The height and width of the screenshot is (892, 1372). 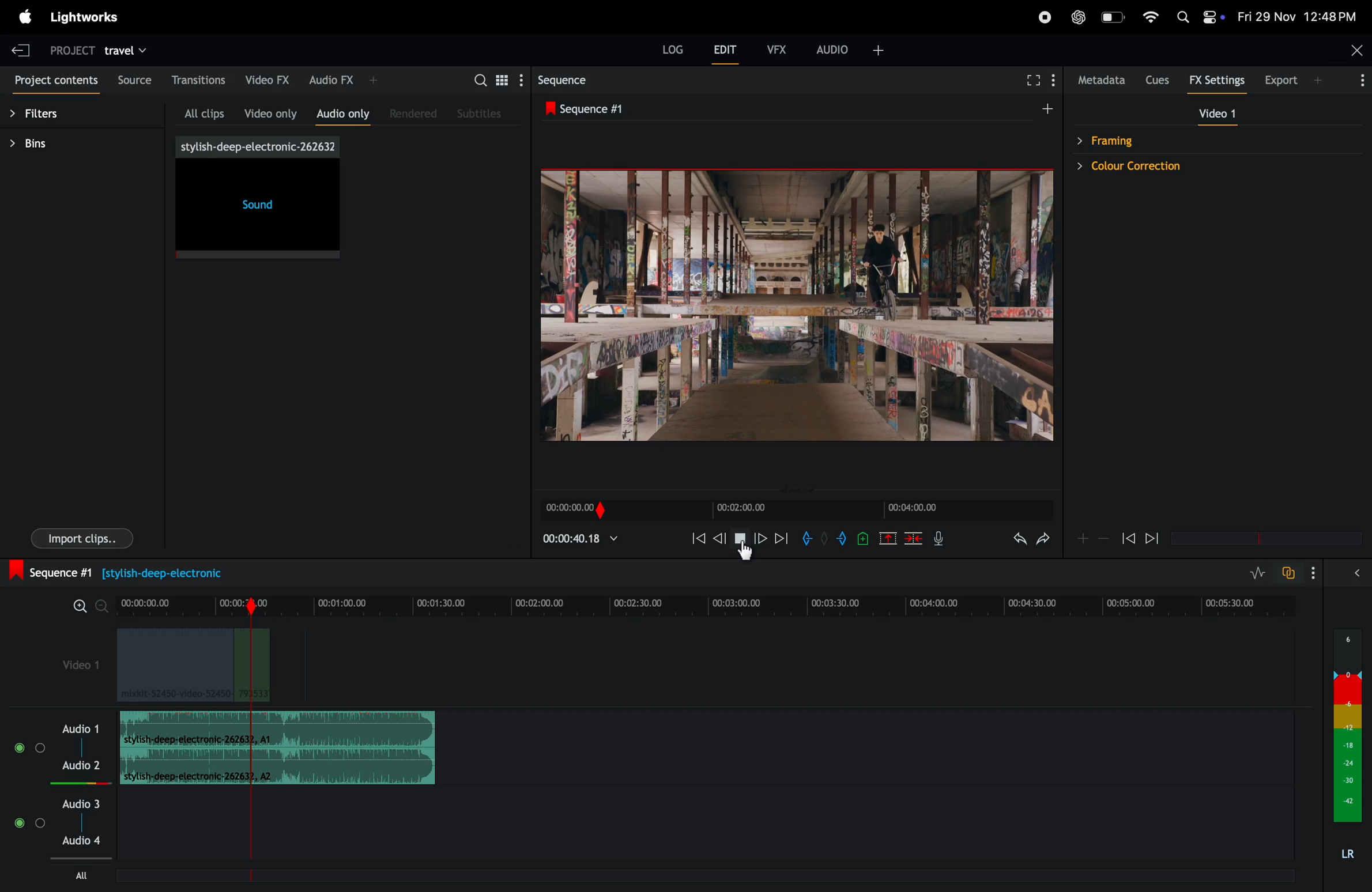 I want to click on undo, so click(x=1011, y=541).